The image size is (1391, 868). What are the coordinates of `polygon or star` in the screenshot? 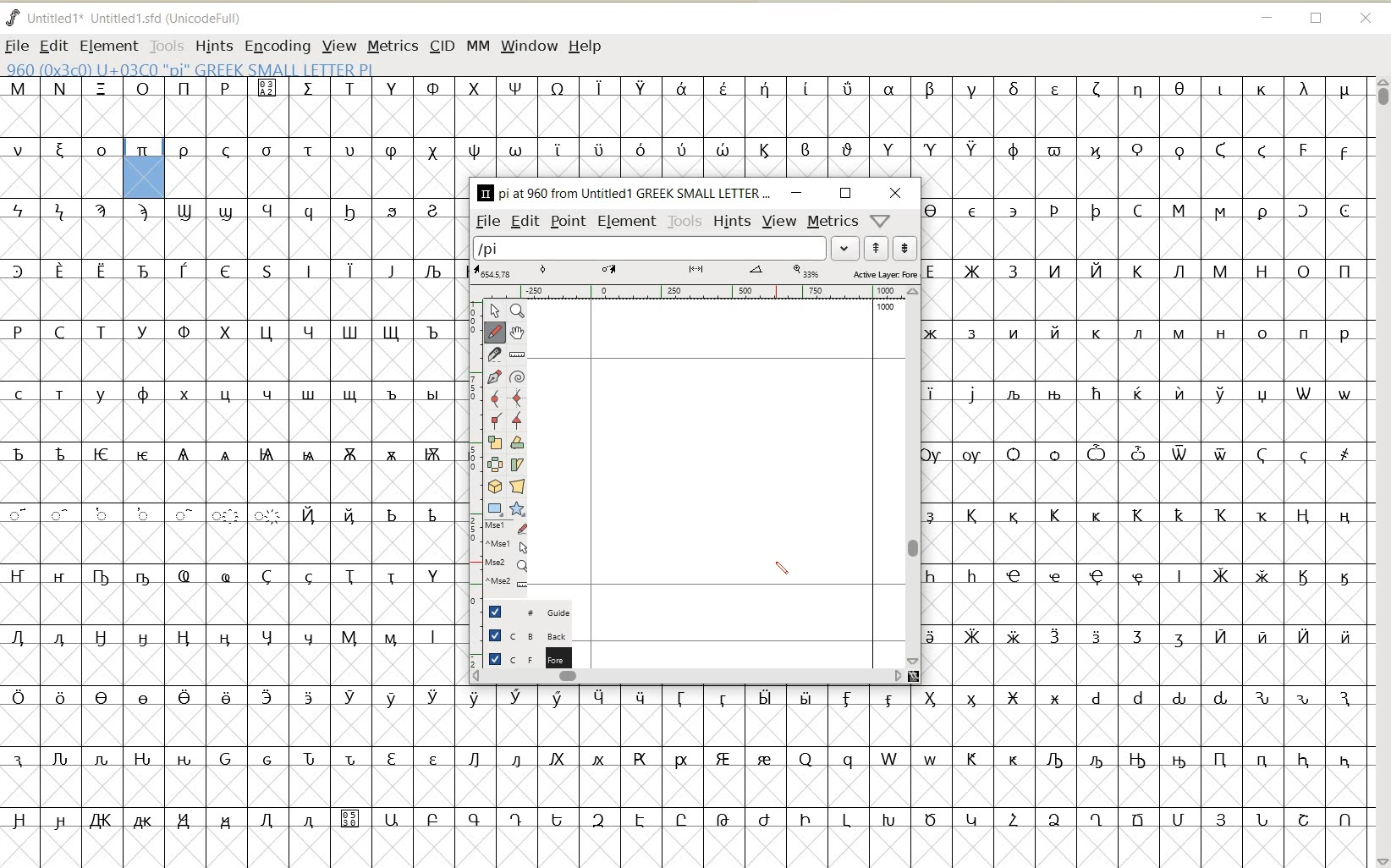 It's located at (516, 509).